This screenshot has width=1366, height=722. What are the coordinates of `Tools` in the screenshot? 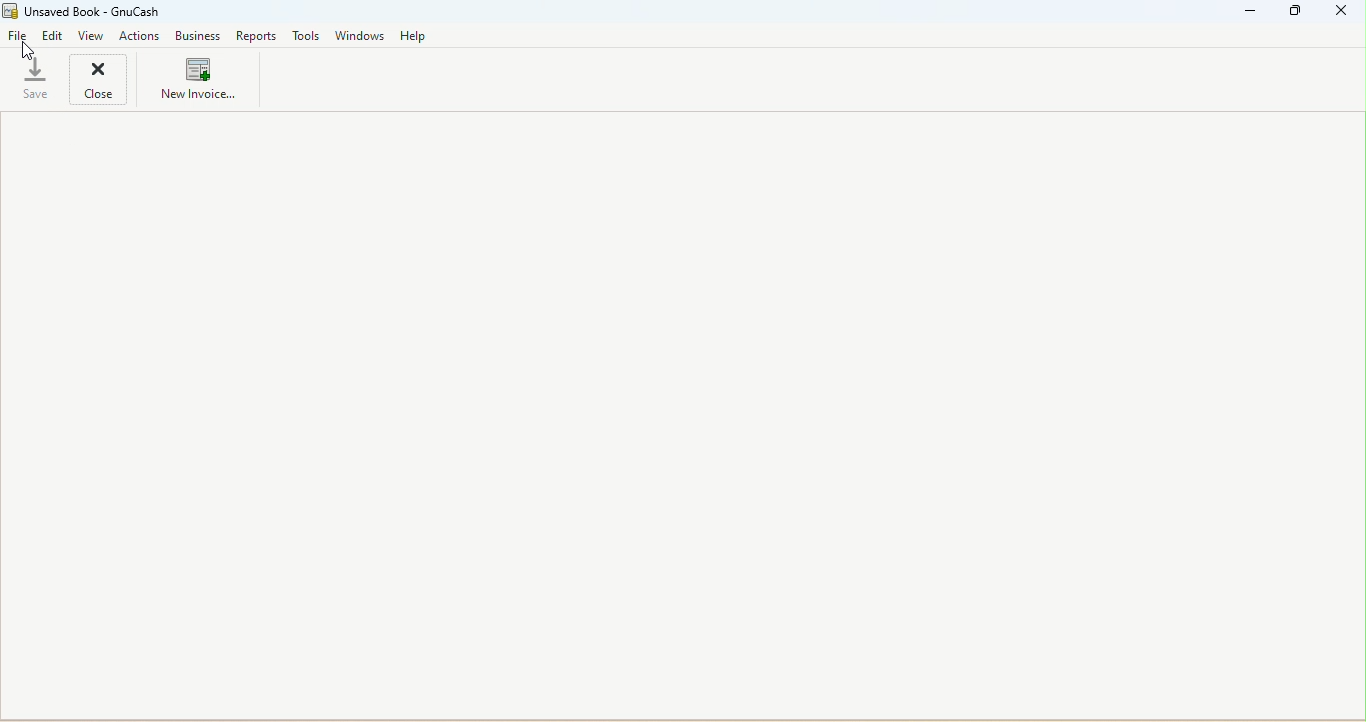 It's located at (304, 36).